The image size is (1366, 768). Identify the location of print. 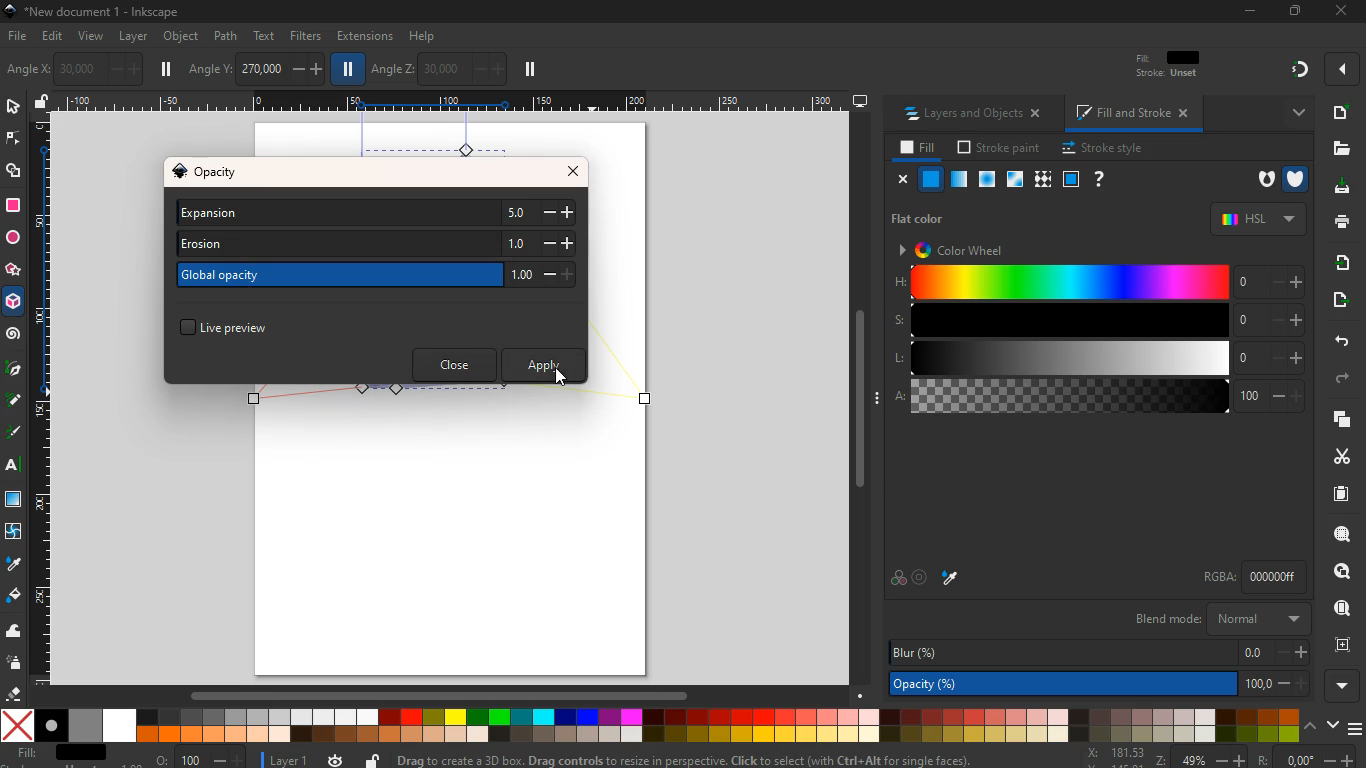
(1339, 223).